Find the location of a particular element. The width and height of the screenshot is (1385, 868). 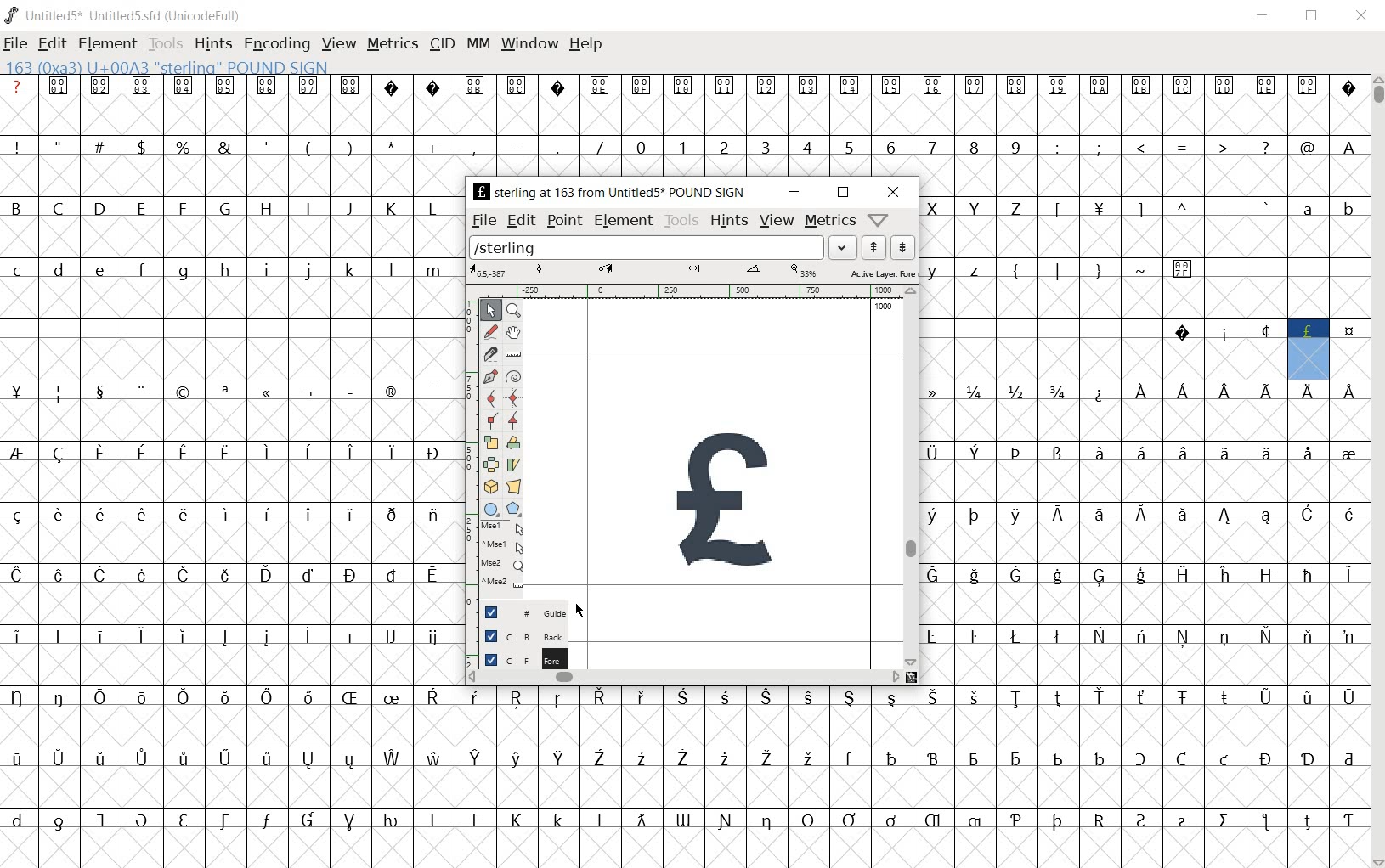

Symbol is located at coordinates (1224, 86).